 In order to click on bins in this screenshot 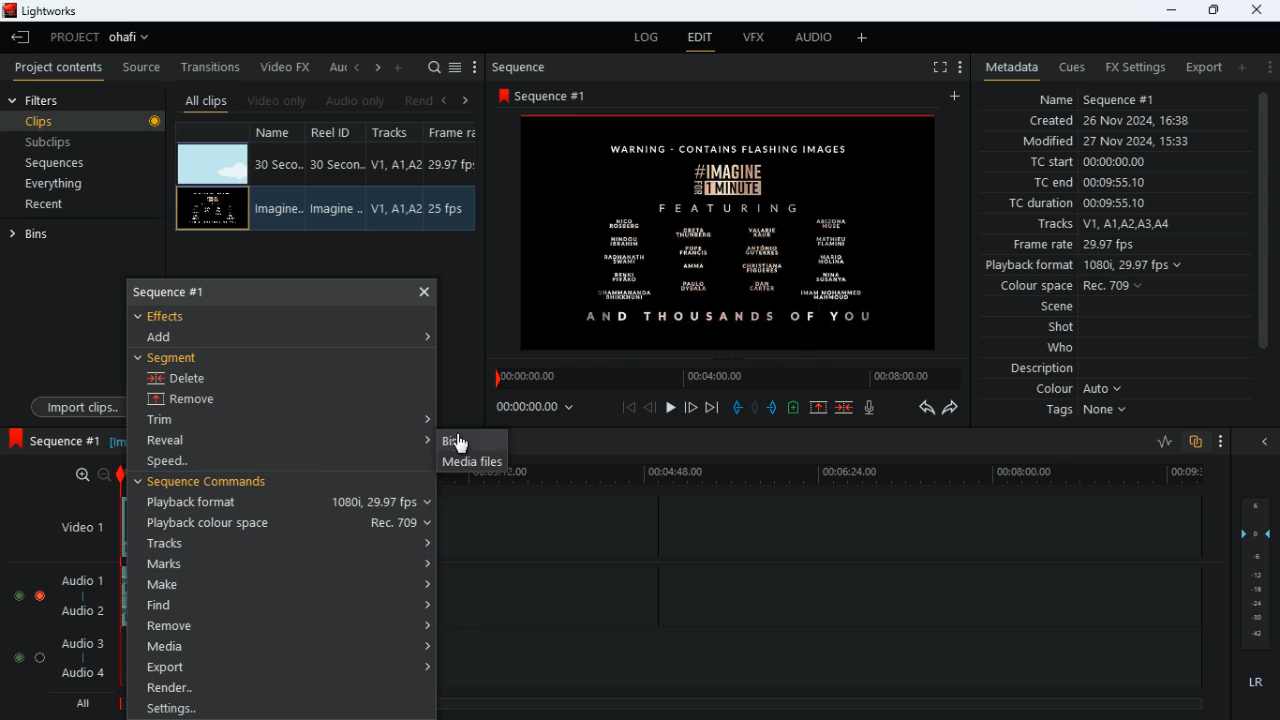, I will do `click(39, 238)`.